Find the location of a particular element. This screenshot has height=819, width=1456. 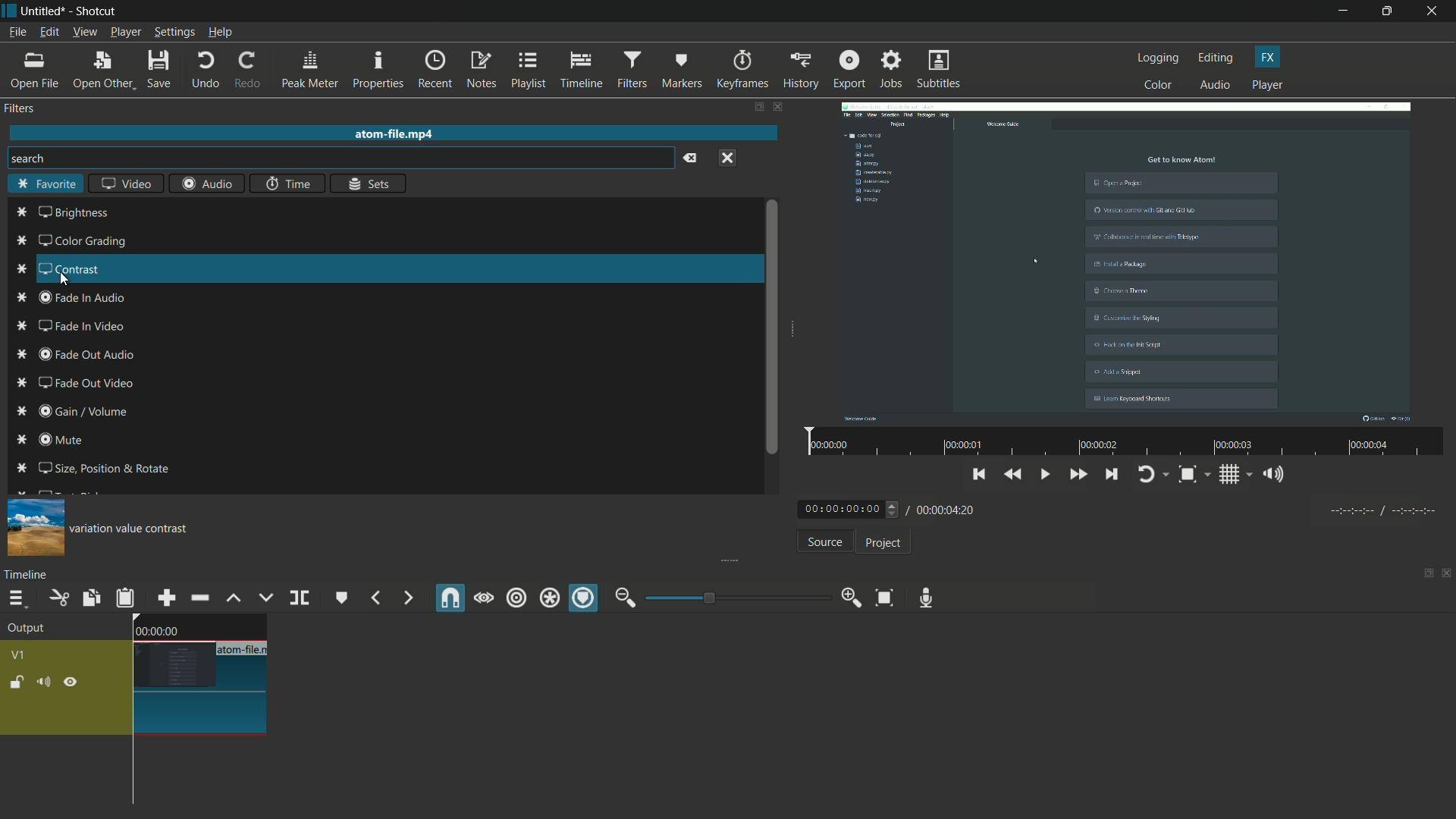

color grading is located at coordinates (71, 241).